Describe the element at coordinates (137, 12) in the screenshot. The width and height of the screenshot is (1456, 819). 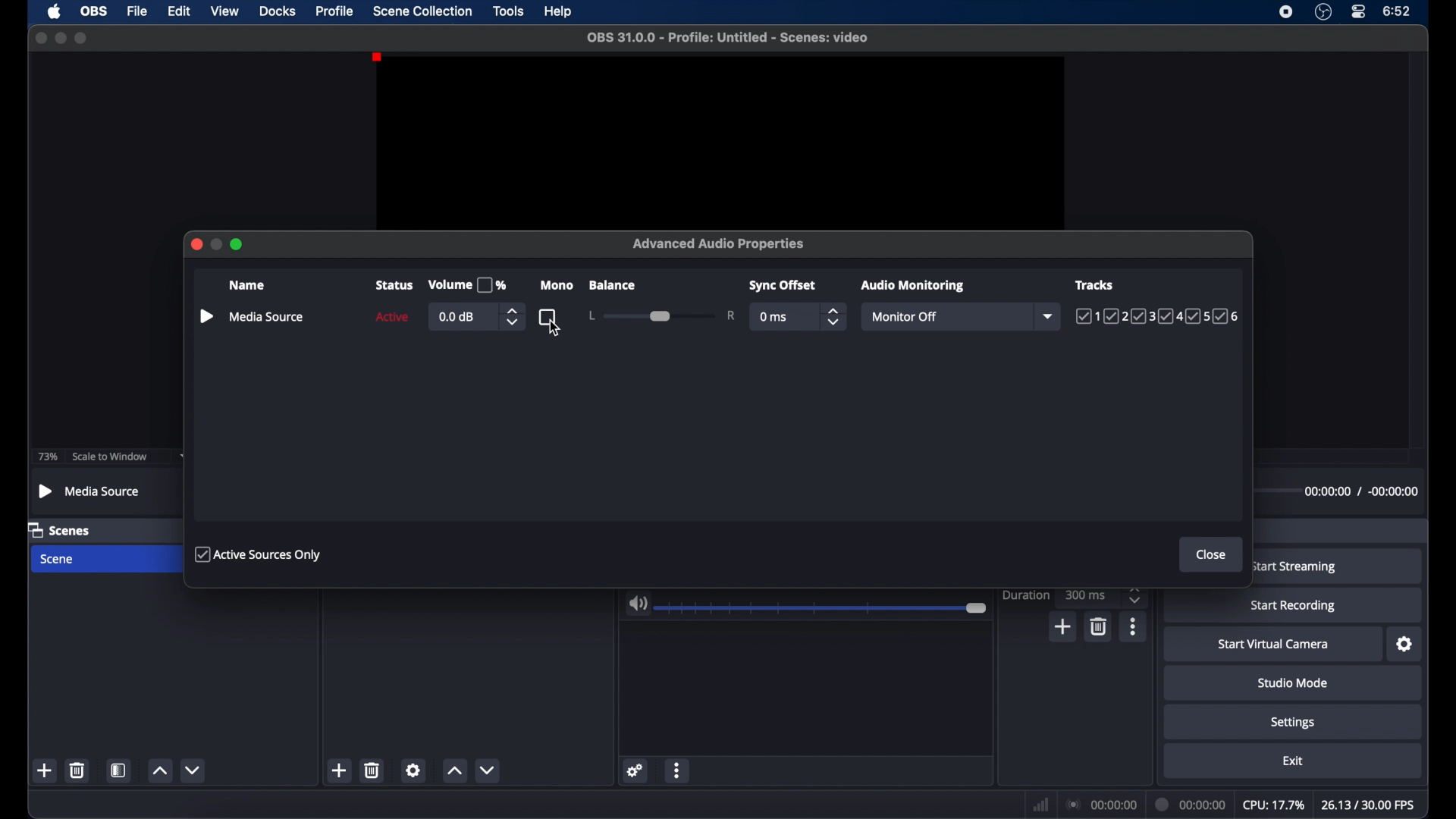
I see `file` at that location.